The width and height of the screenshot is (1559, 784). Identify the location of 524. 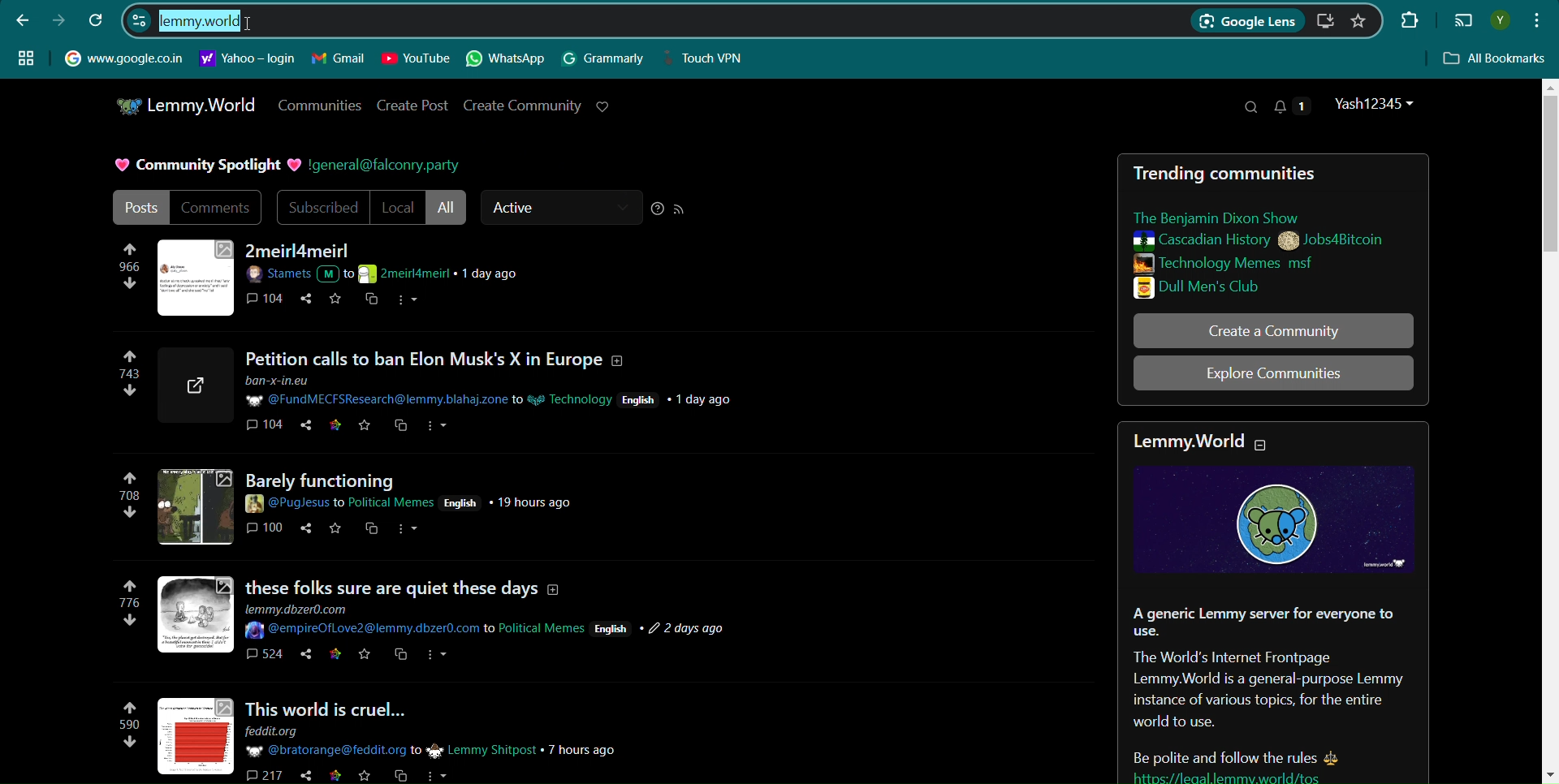
(263, 658).